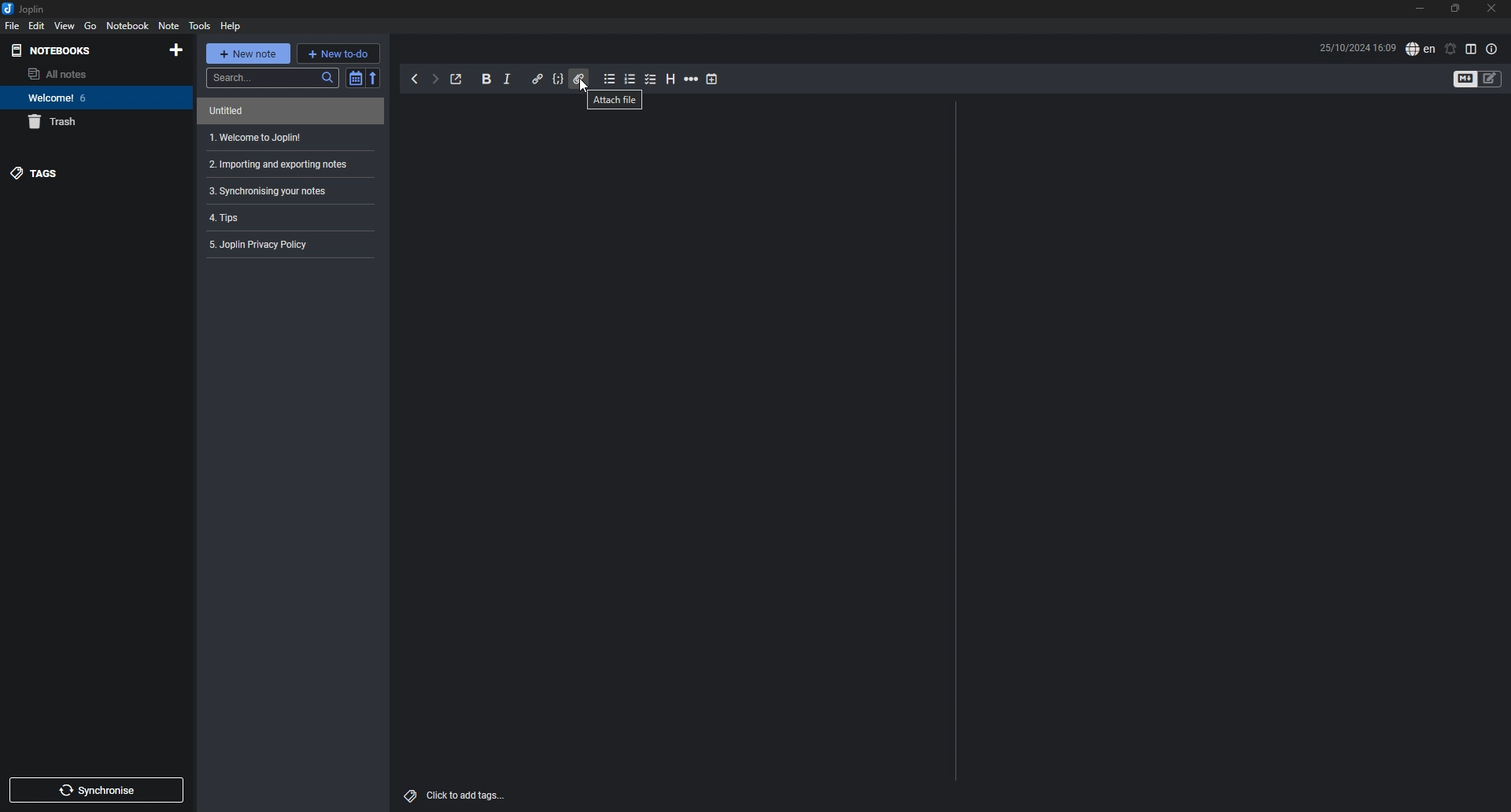  What do you see at coordinates (586, 88) in the screenshot?
I see `Cursor` at bounding box center [586, 88].